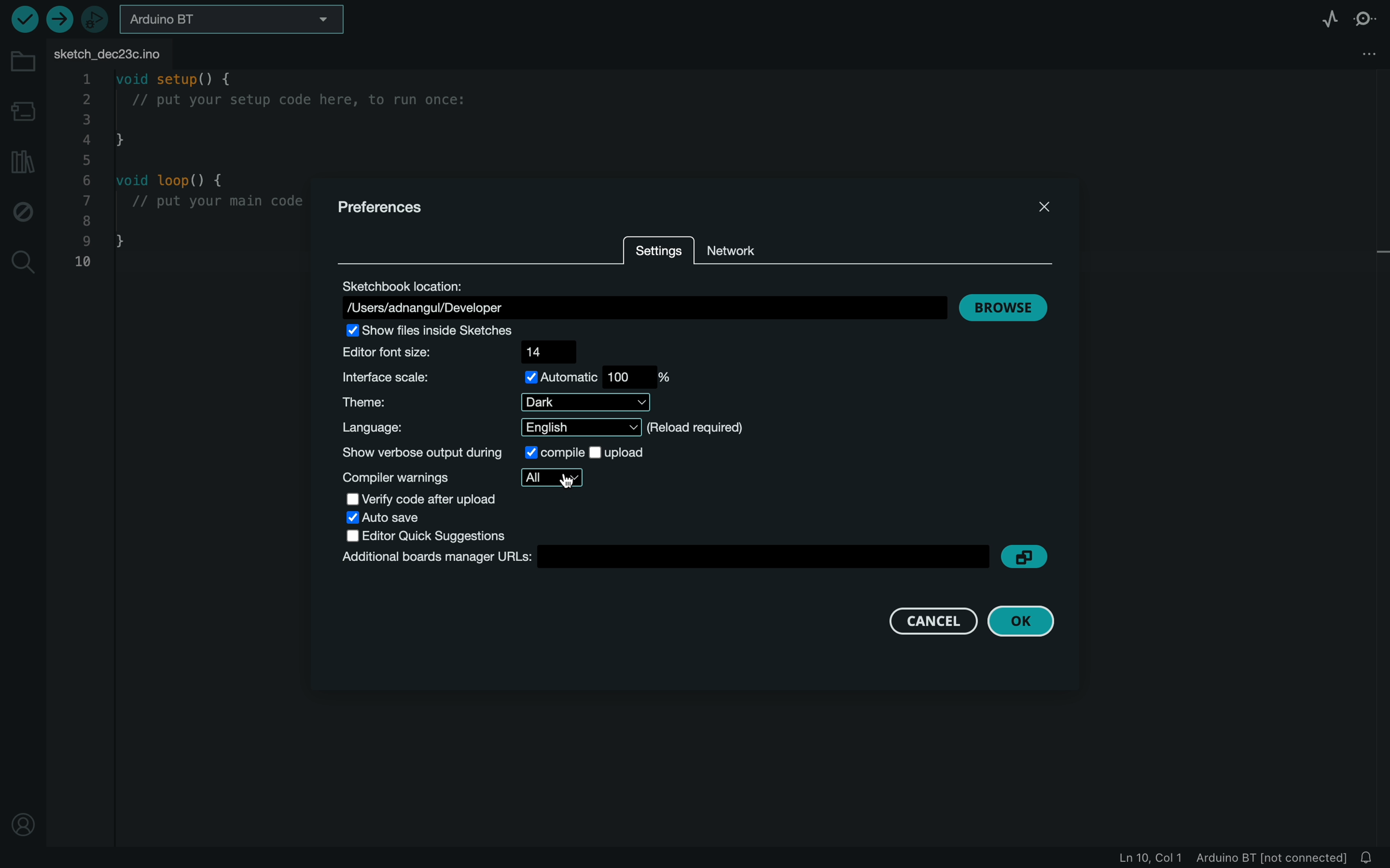 The image size is (1390, 868). I want to click on quick suggestion , so click(420, 536).